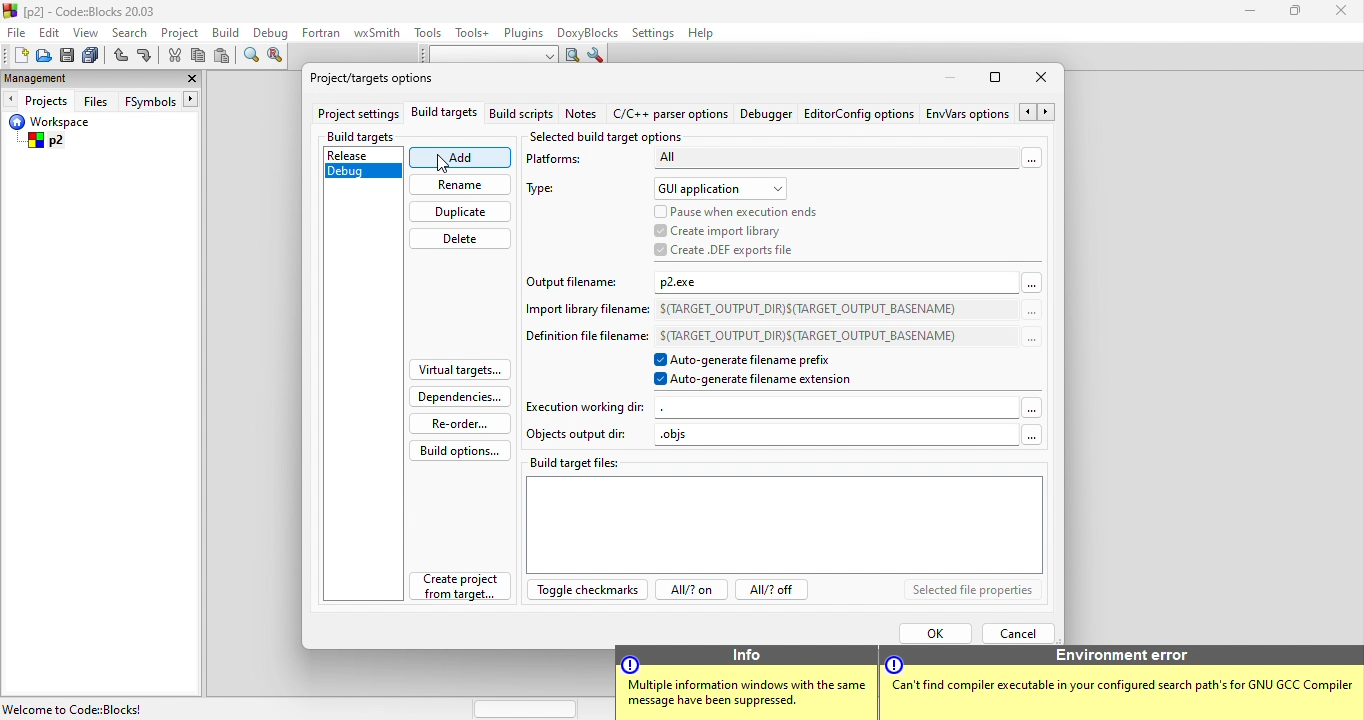  What do you see at coordinates (81, 11) in the screenshot?
I see `[p2] - Code=Blocks 20.03` at bounding box center [81, 11].